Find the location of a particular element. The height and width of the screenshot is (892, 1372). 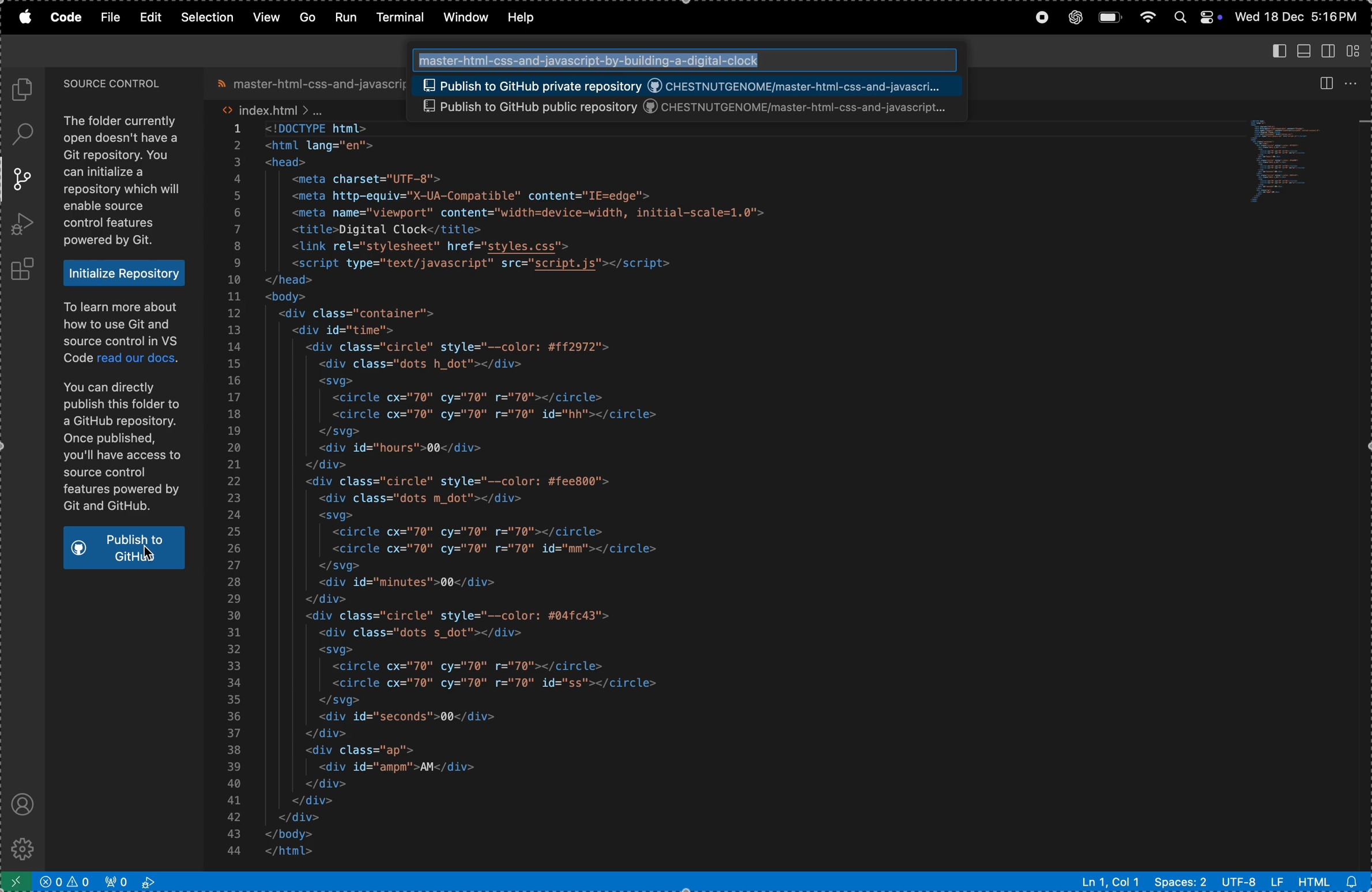

go is located at coordinates (307, 17).